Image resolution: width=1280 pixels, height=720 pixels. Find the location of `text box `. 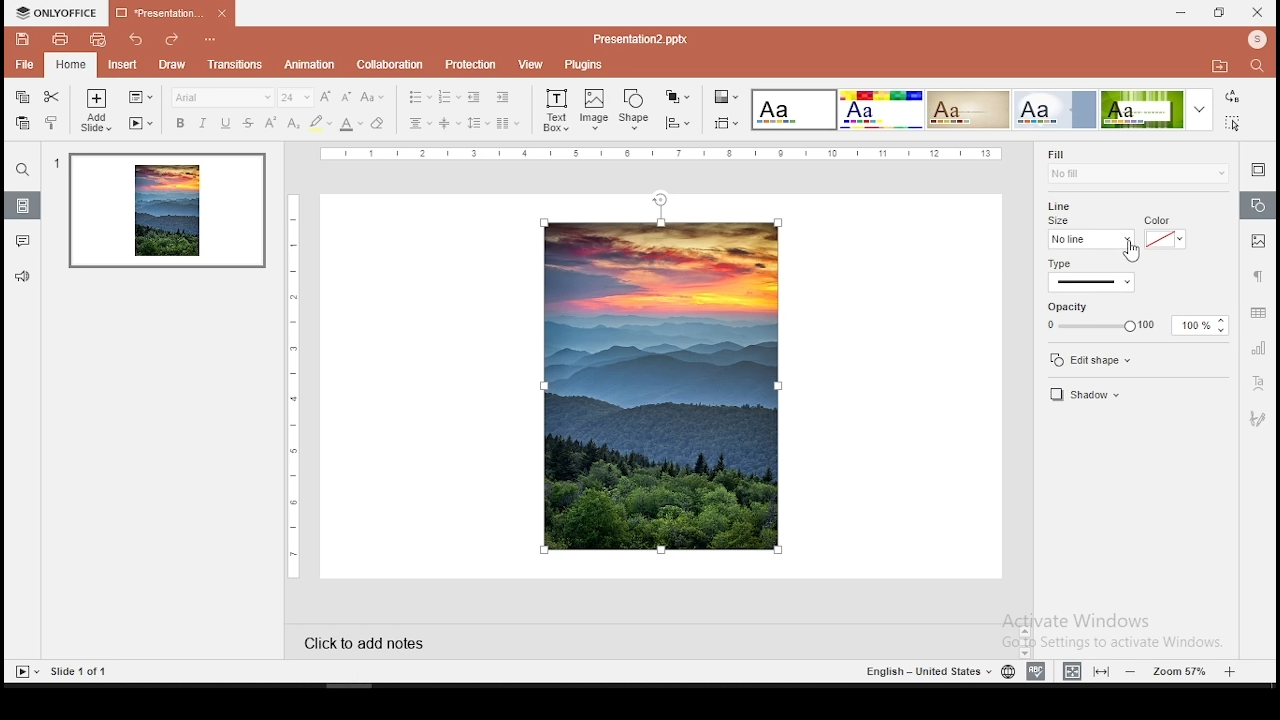

text box  is located at coordinates (554, 110).